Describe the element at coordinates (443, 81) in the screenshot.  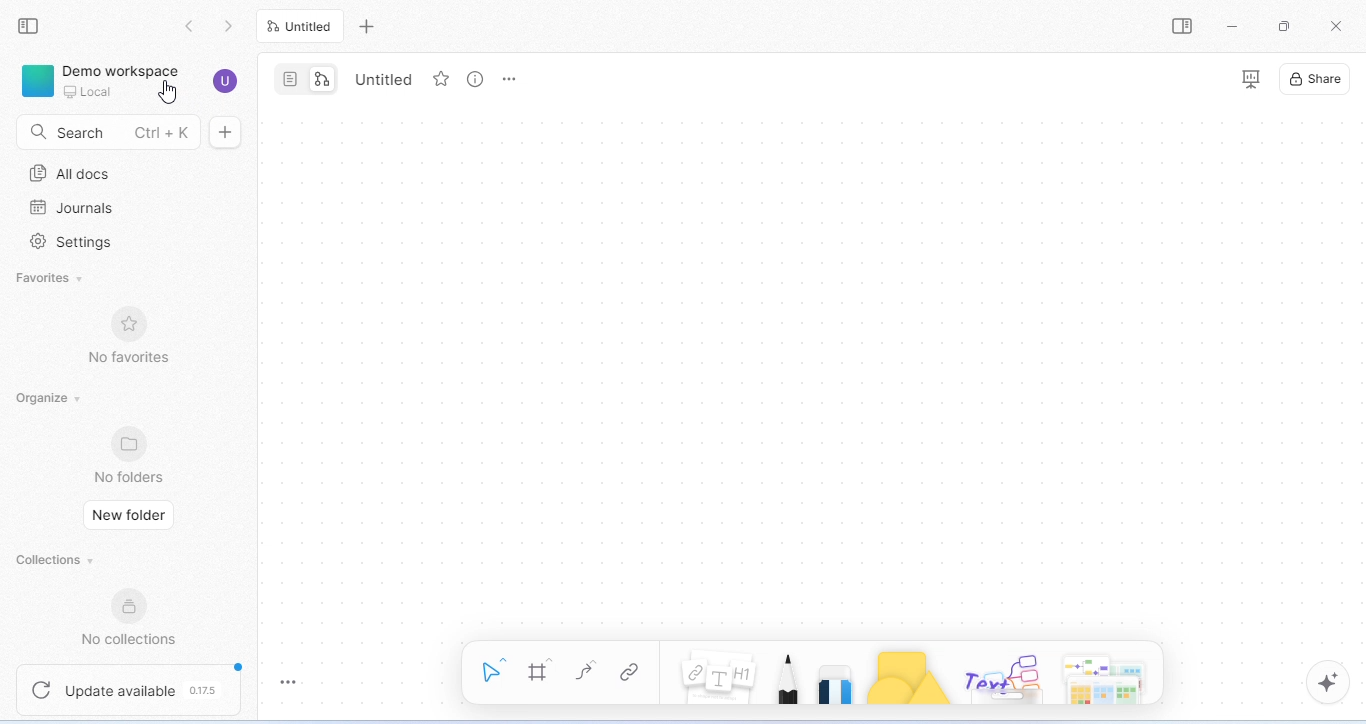
I see `favorite` at that location.